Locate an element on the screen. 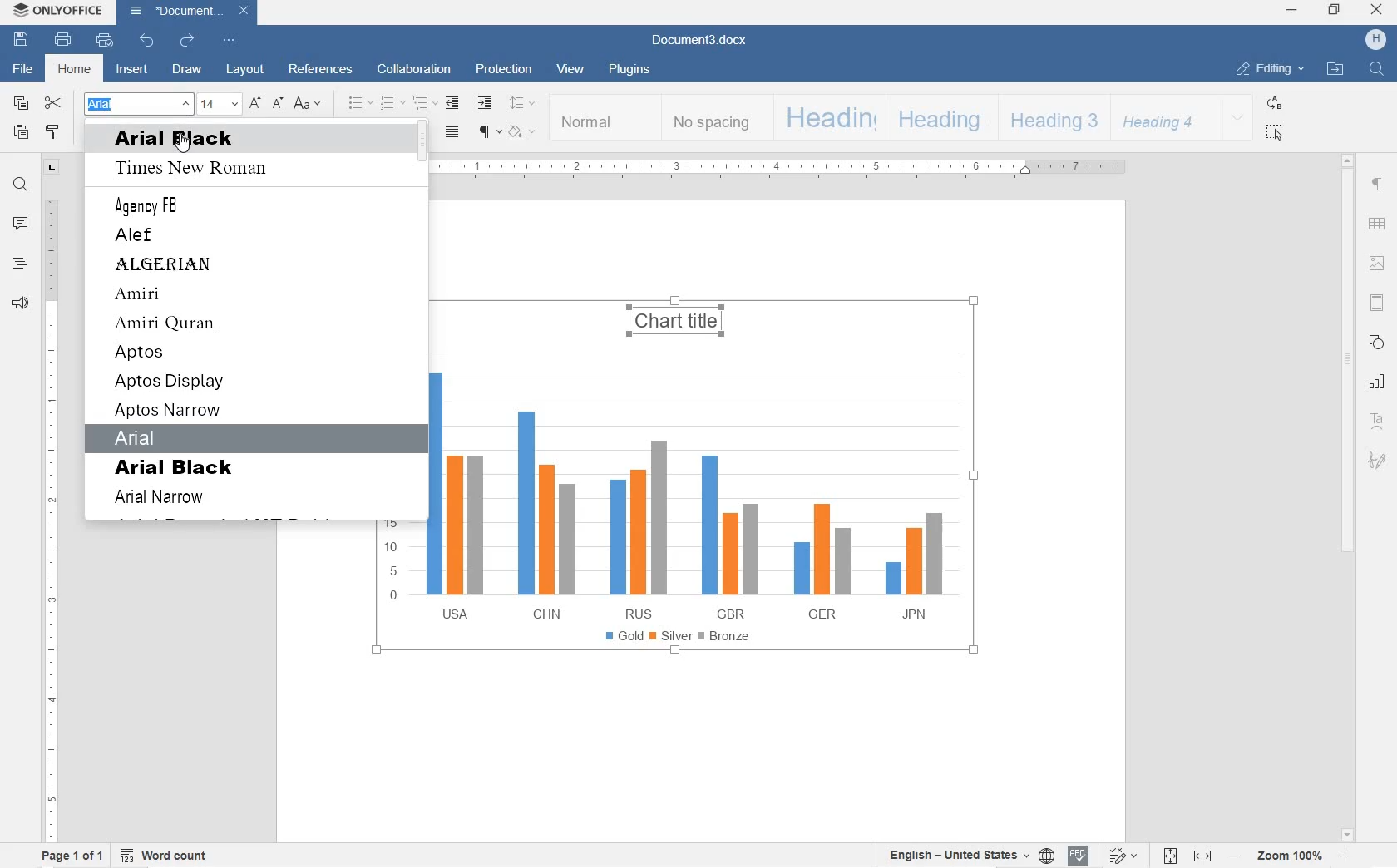  TAB is located at coordinates (52, 166).